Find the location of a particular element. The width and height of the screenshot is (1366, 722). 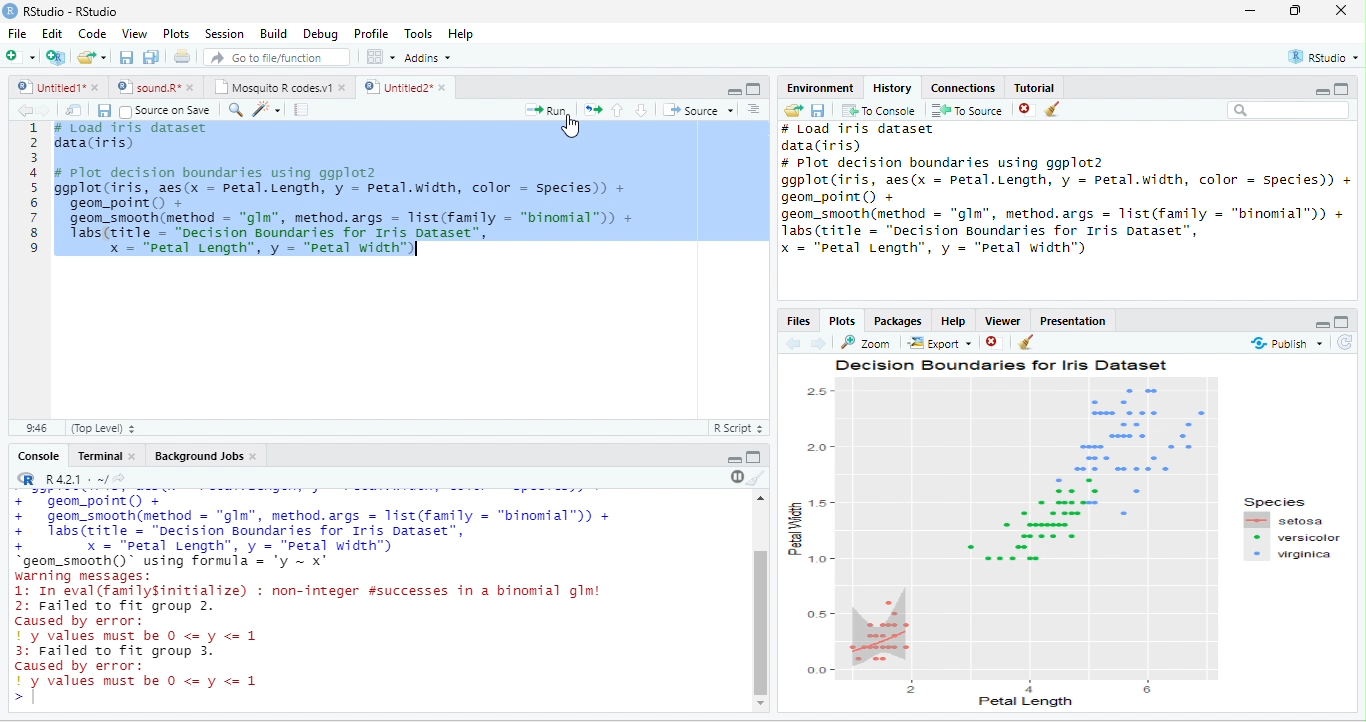

# Plot decision boundaries using ggplot2
ggplot(iris, aes(x = petal.Length, y = petal.width, color = Species) +
geom_point() + is located at coordinates (1065, 180).